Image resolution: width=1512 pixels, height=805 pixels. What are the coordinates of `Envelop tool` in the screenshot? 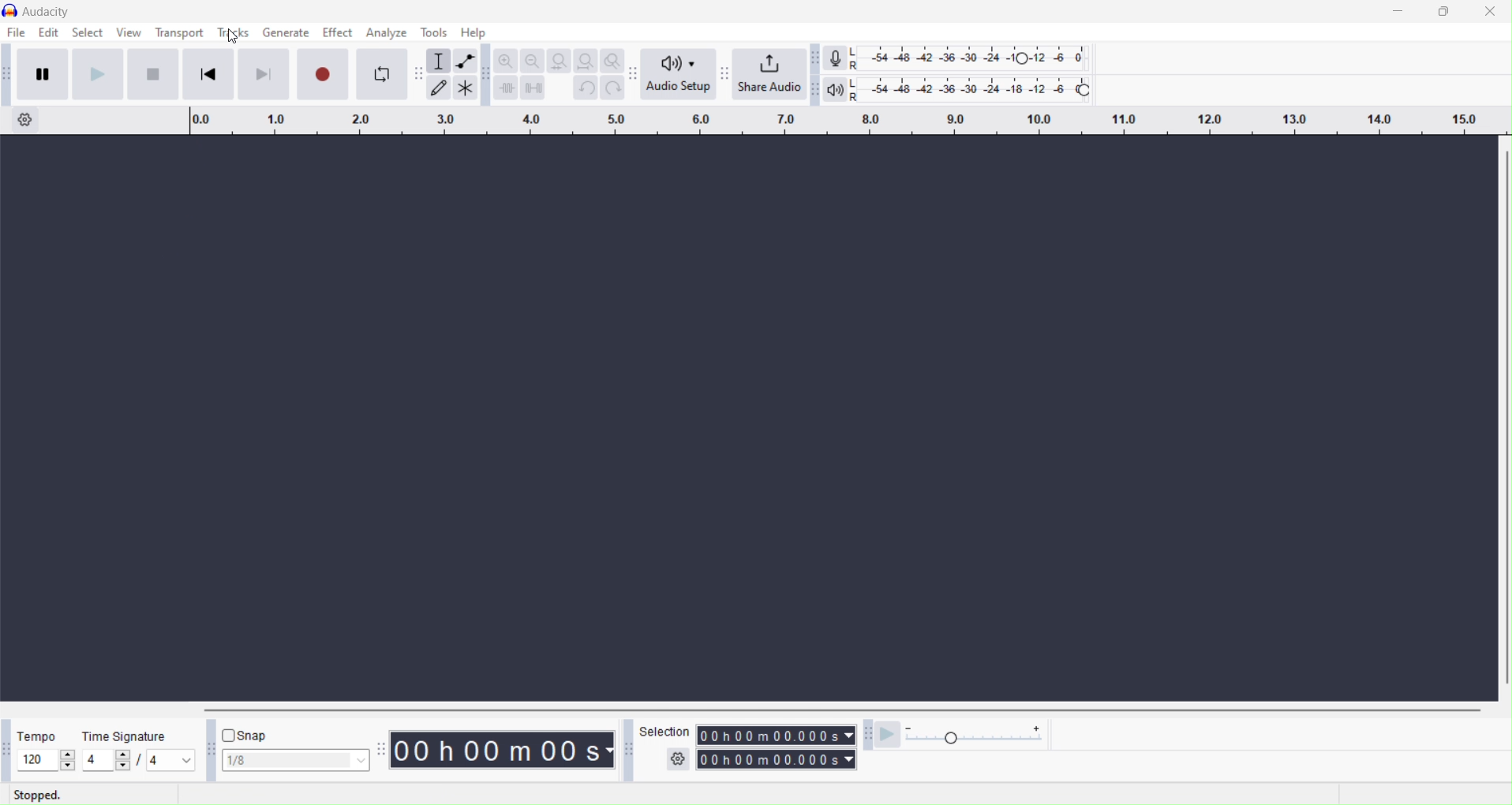 It's located at (462, 59).